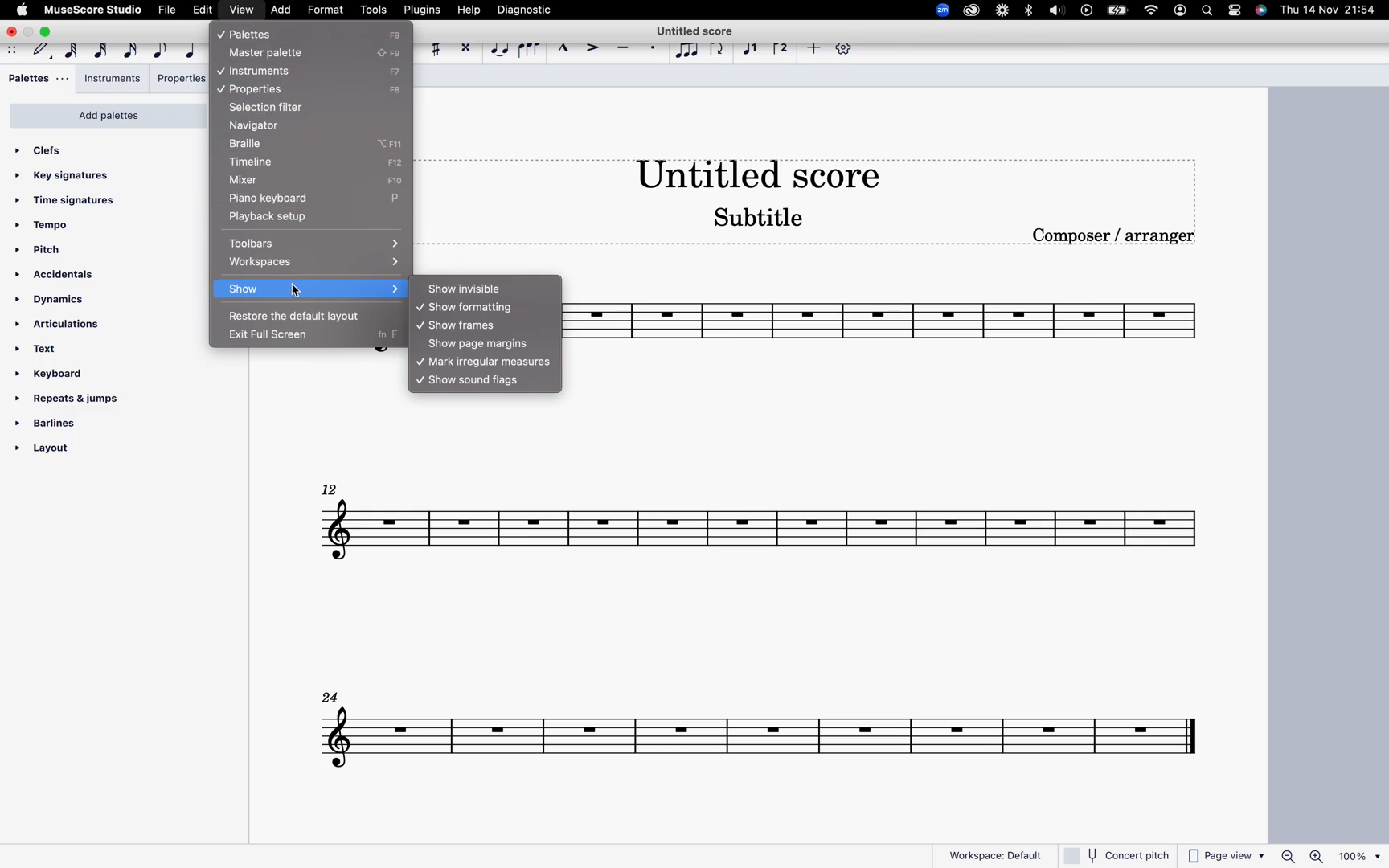  What do you see at coordinates (1317, 855) in the screenshot?
I see `zoom in` at bounding box center [1317, 855].